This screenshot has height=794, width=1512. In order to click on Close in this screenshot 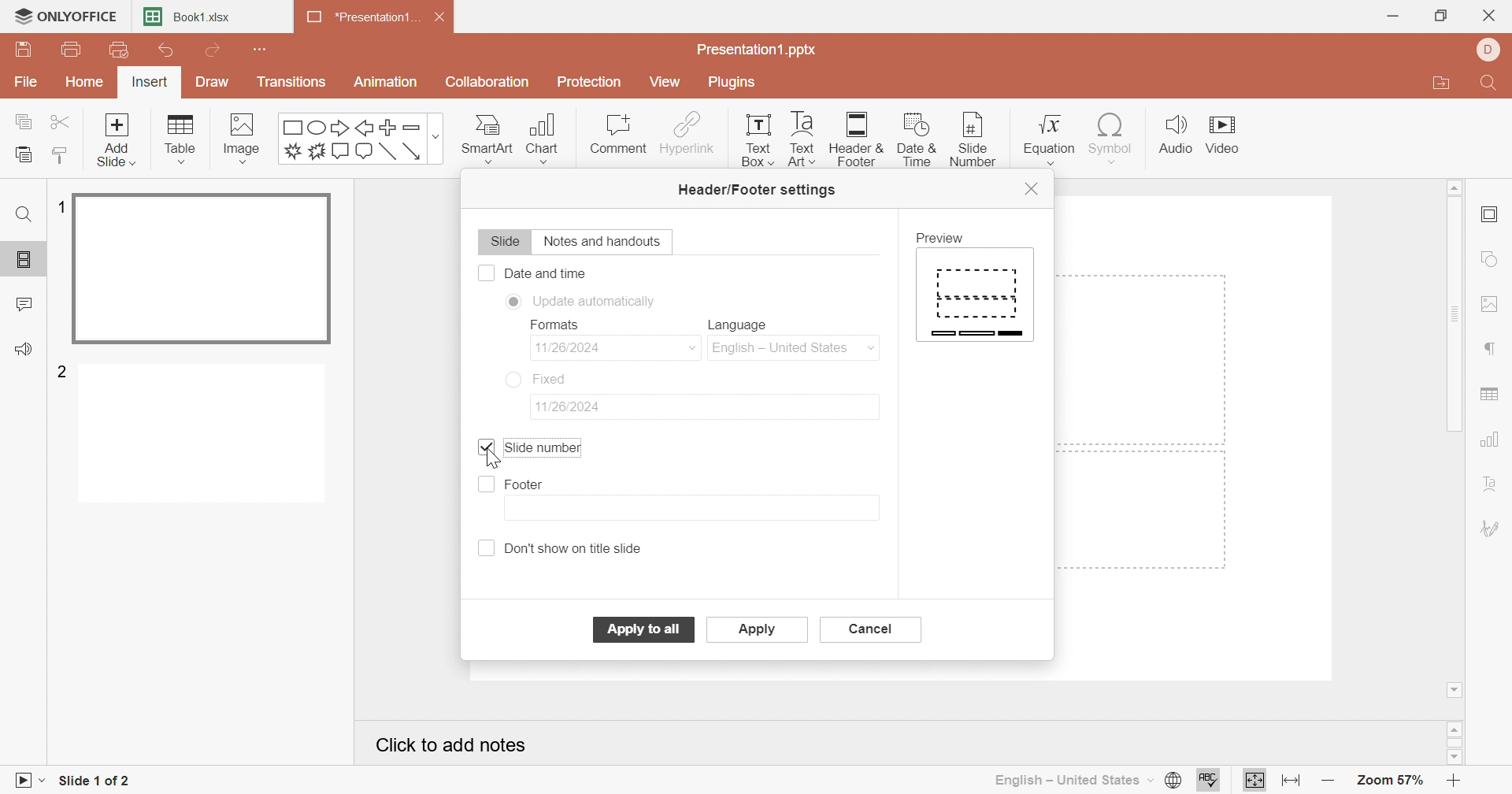, I will do `click(1032, 187)`.